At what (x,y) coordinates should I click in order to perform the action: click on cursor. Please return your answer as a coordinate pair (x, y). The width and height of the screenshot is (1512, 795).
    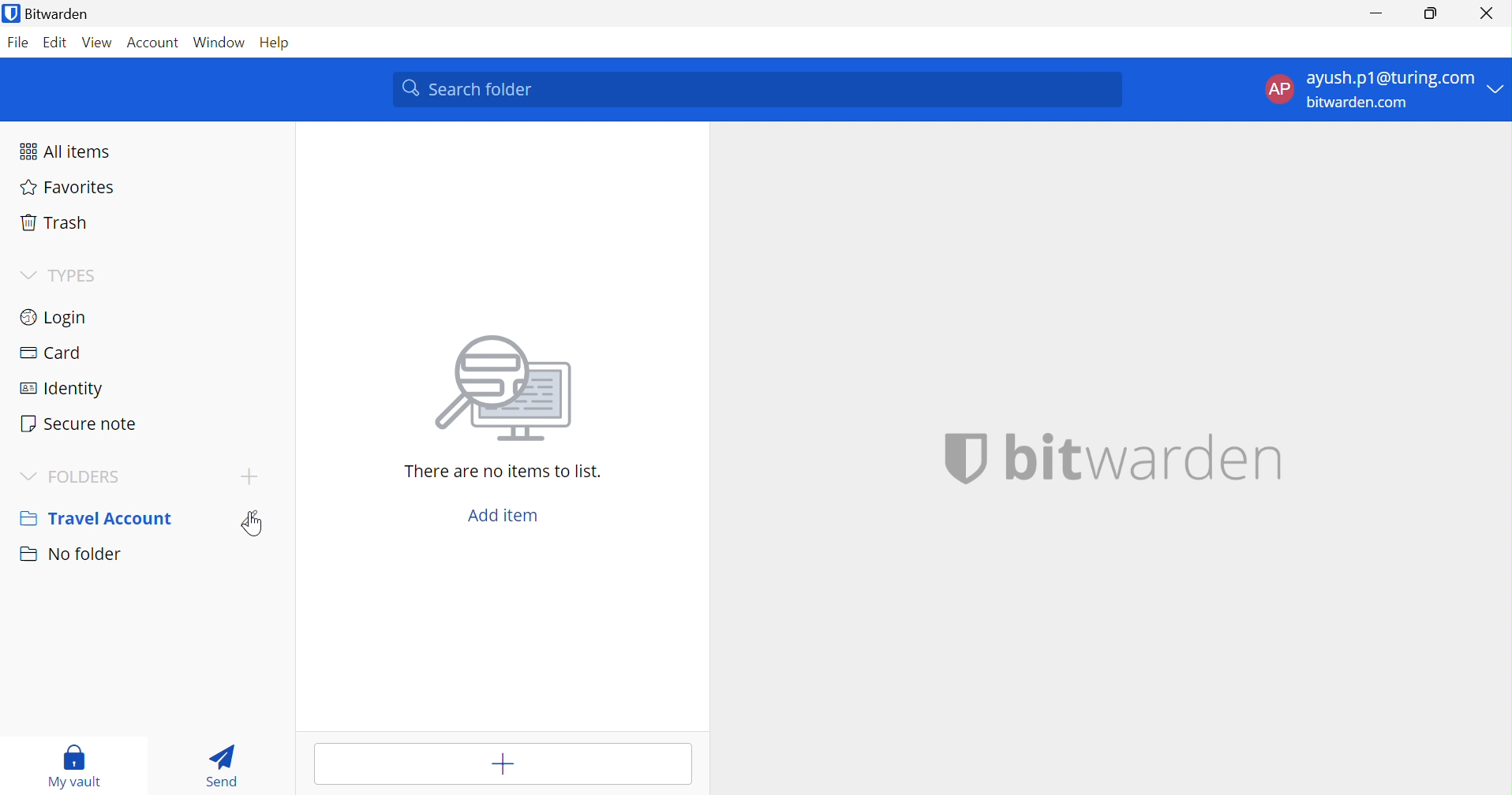
    Looking at the image, I should click on (254, 526).